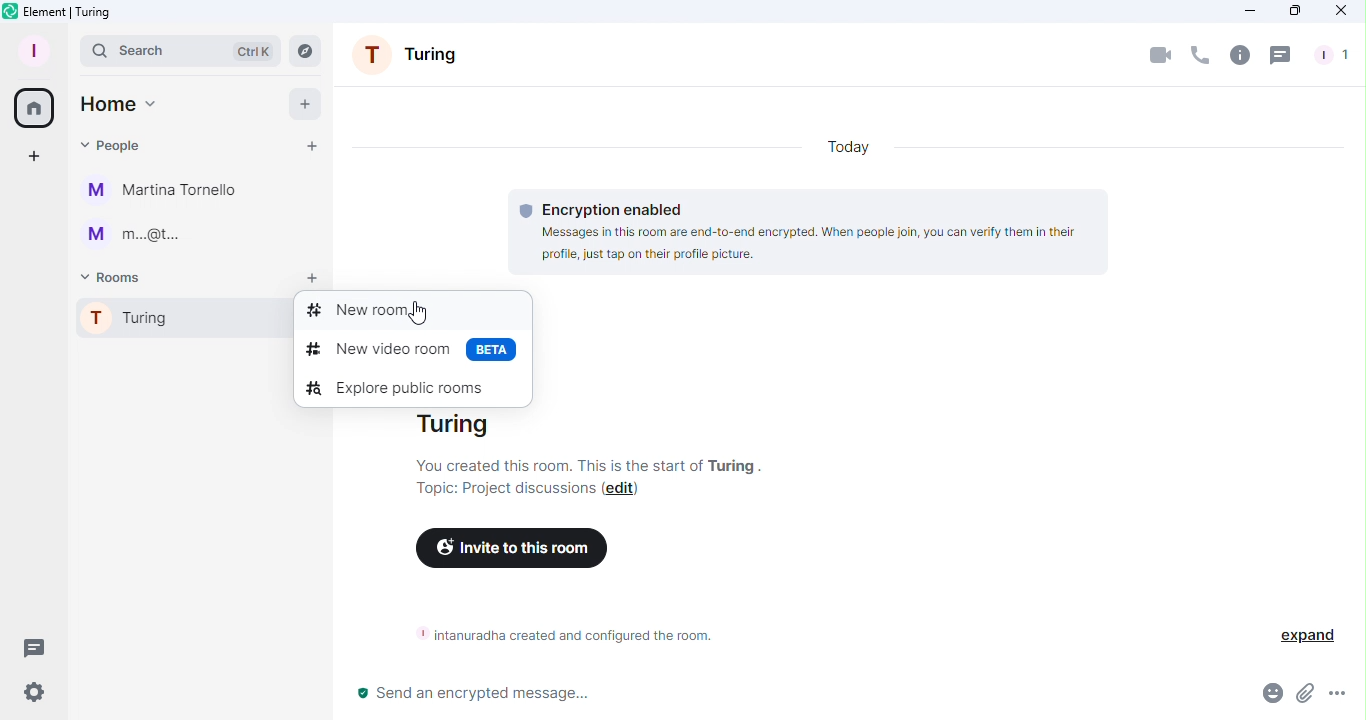  I want to click on New room, so click(409, 310).